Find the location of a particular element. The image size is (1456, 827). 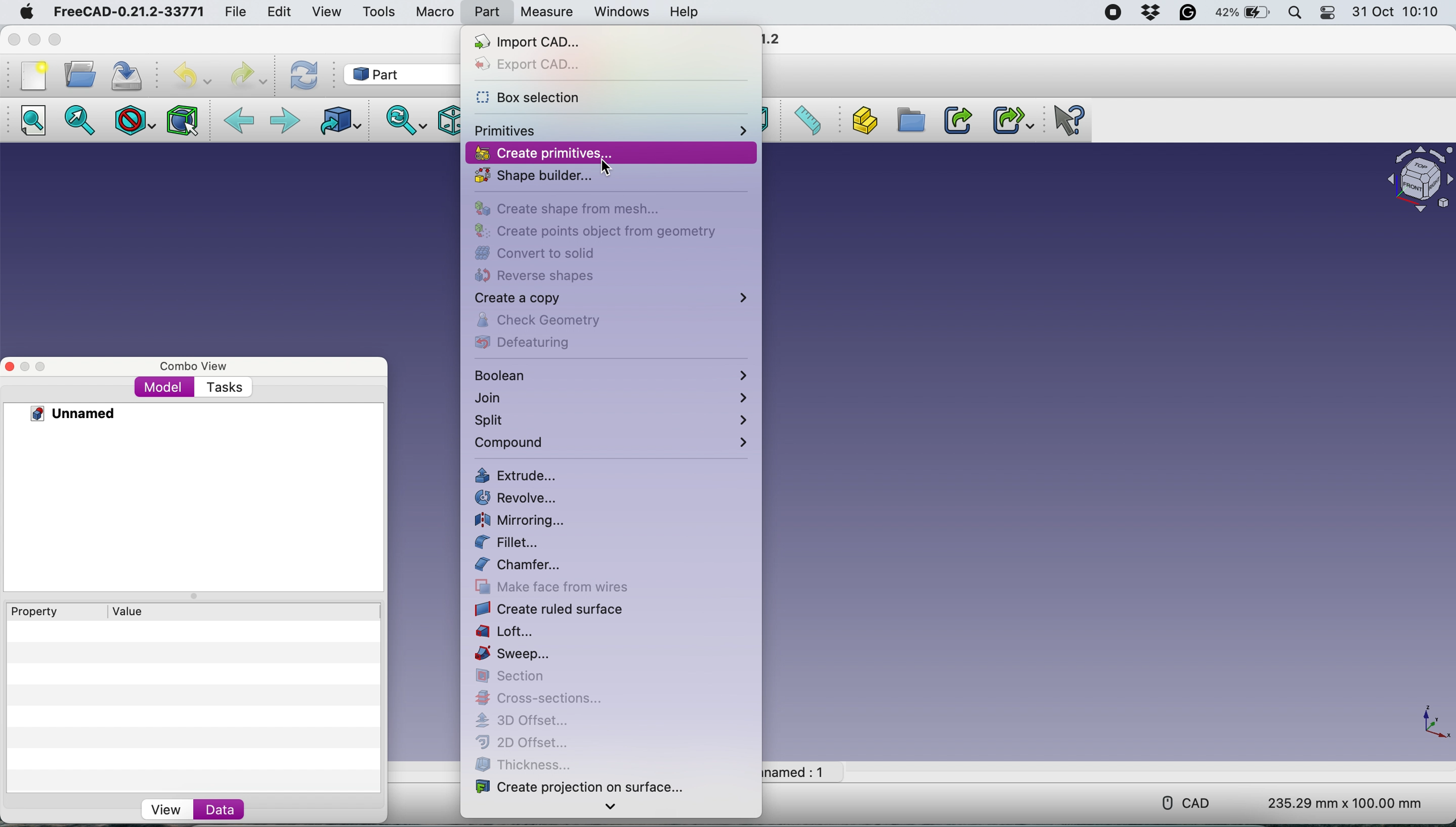

Apple logo is located at coordinates (30, 12).